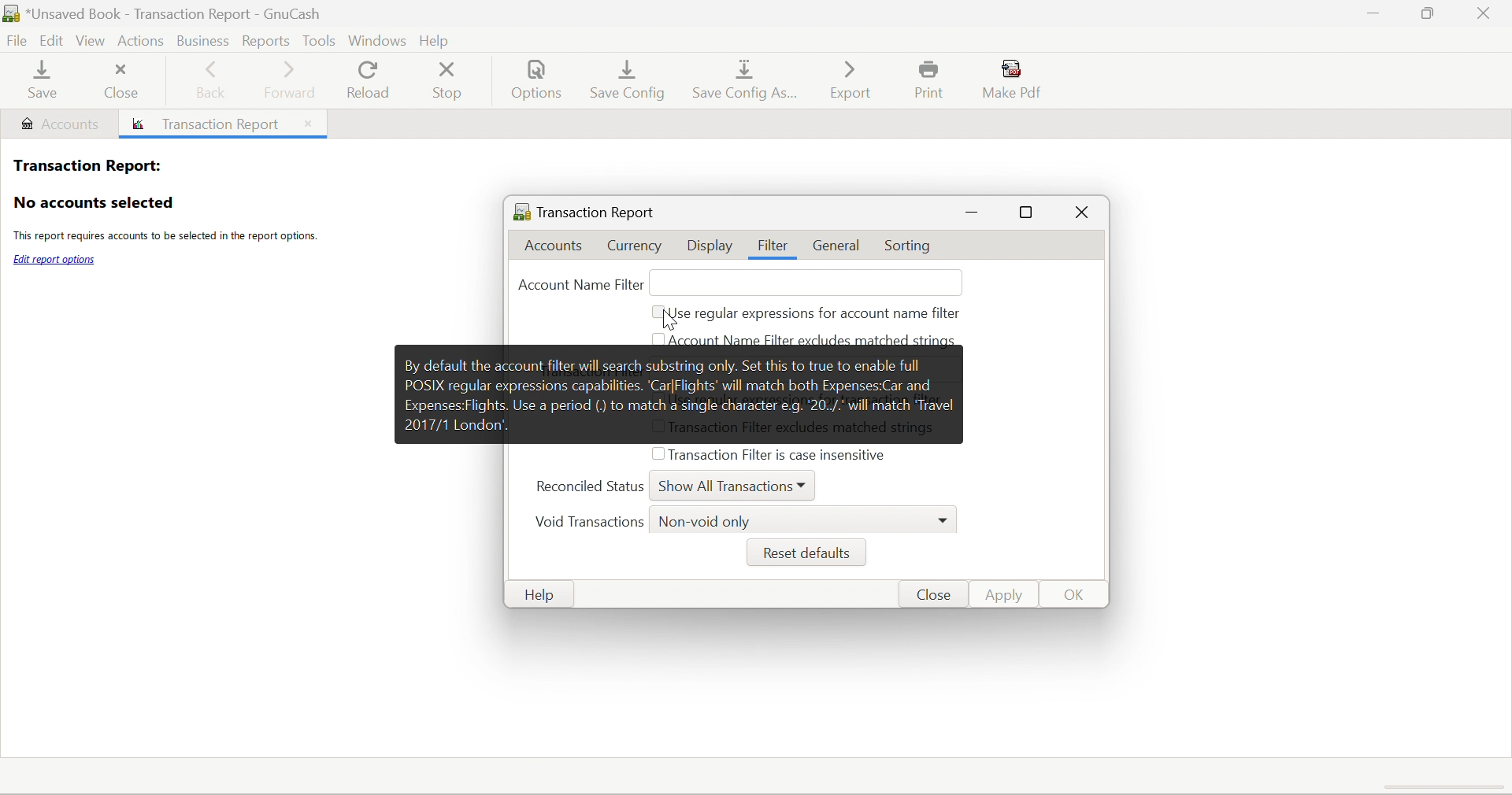 The width and height of the screenshot is (1512, 795). Describe the element at coordinates (1017, 79) in the screenshot. I see `Make Pdf` at that location.